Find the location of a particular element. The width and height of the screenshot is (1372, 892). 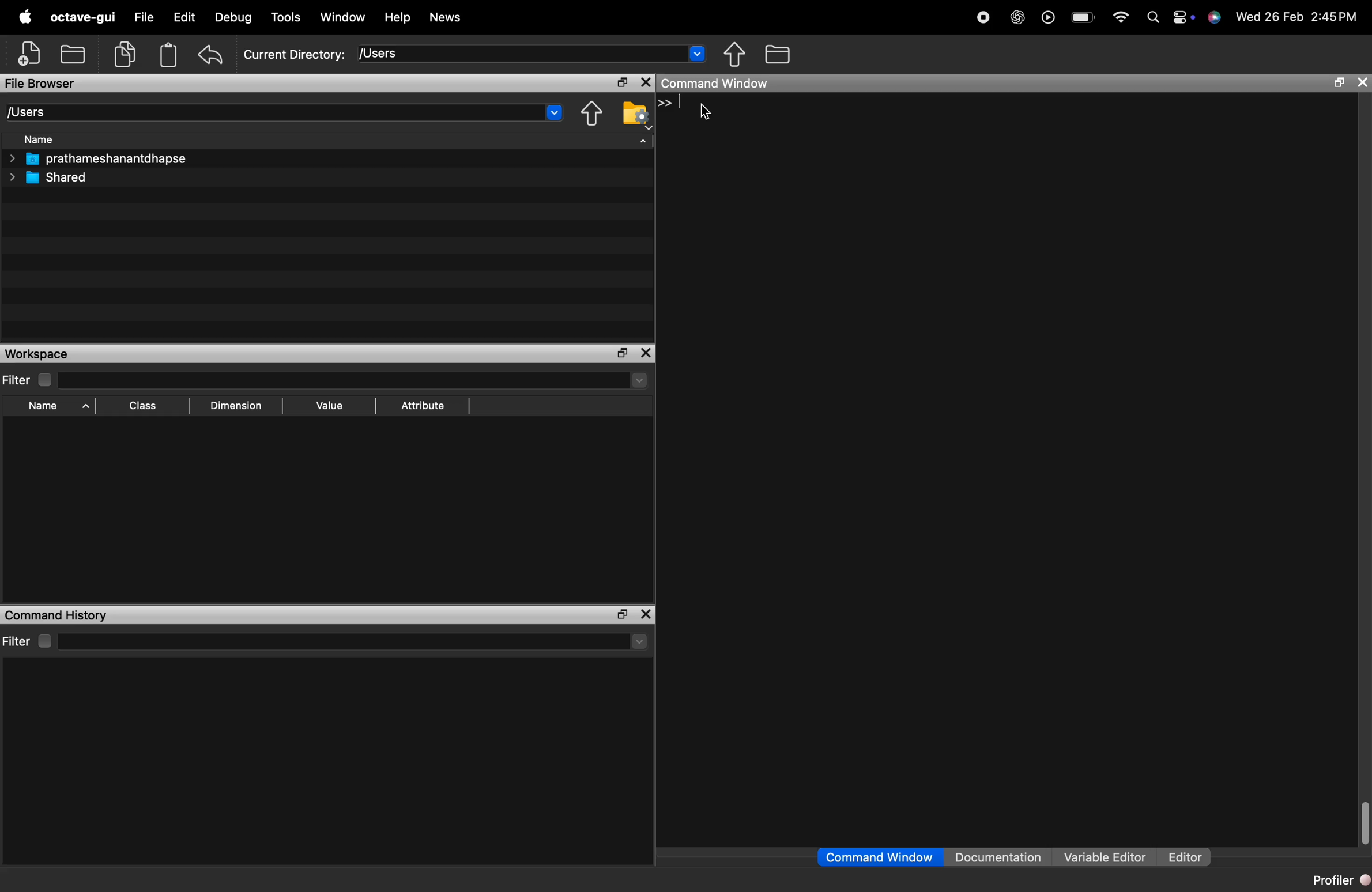

Profiler is located at coordinates (1333, 881).